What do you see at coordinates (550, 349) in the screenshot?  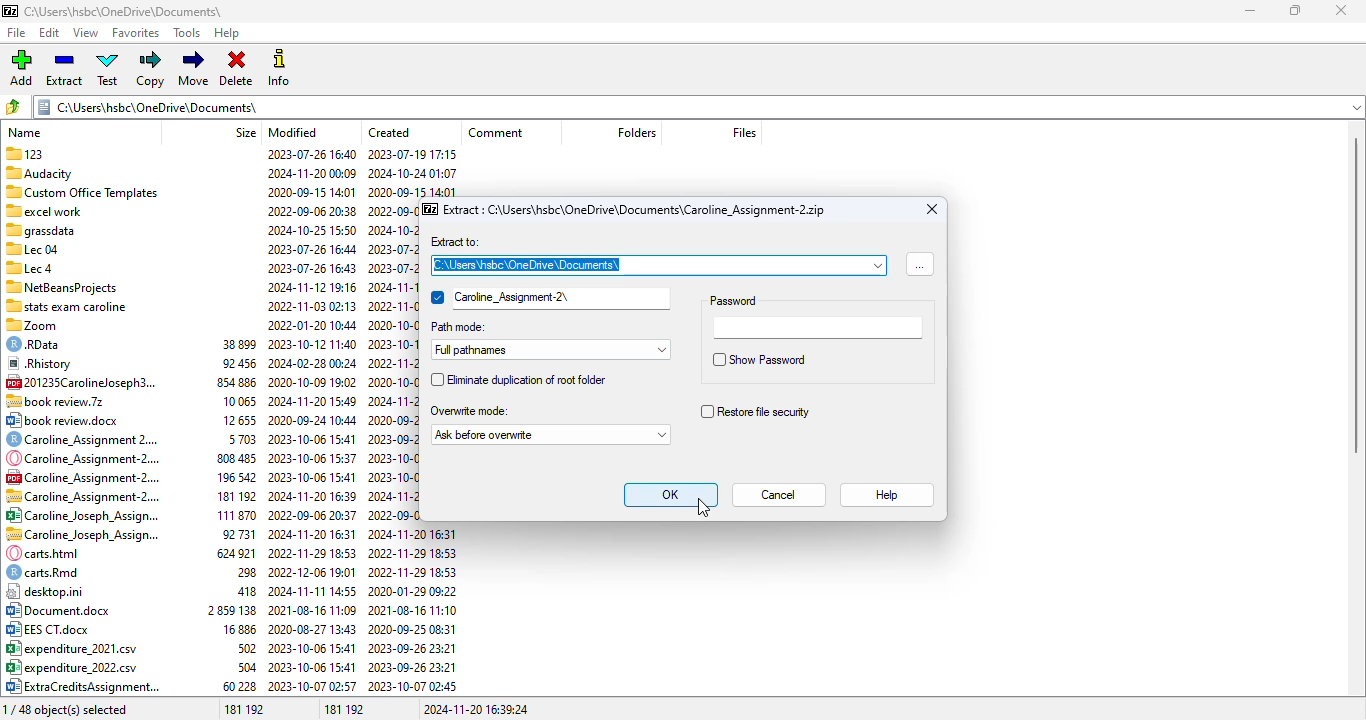 I see `full pathnames` at bounding box center [550, 349].